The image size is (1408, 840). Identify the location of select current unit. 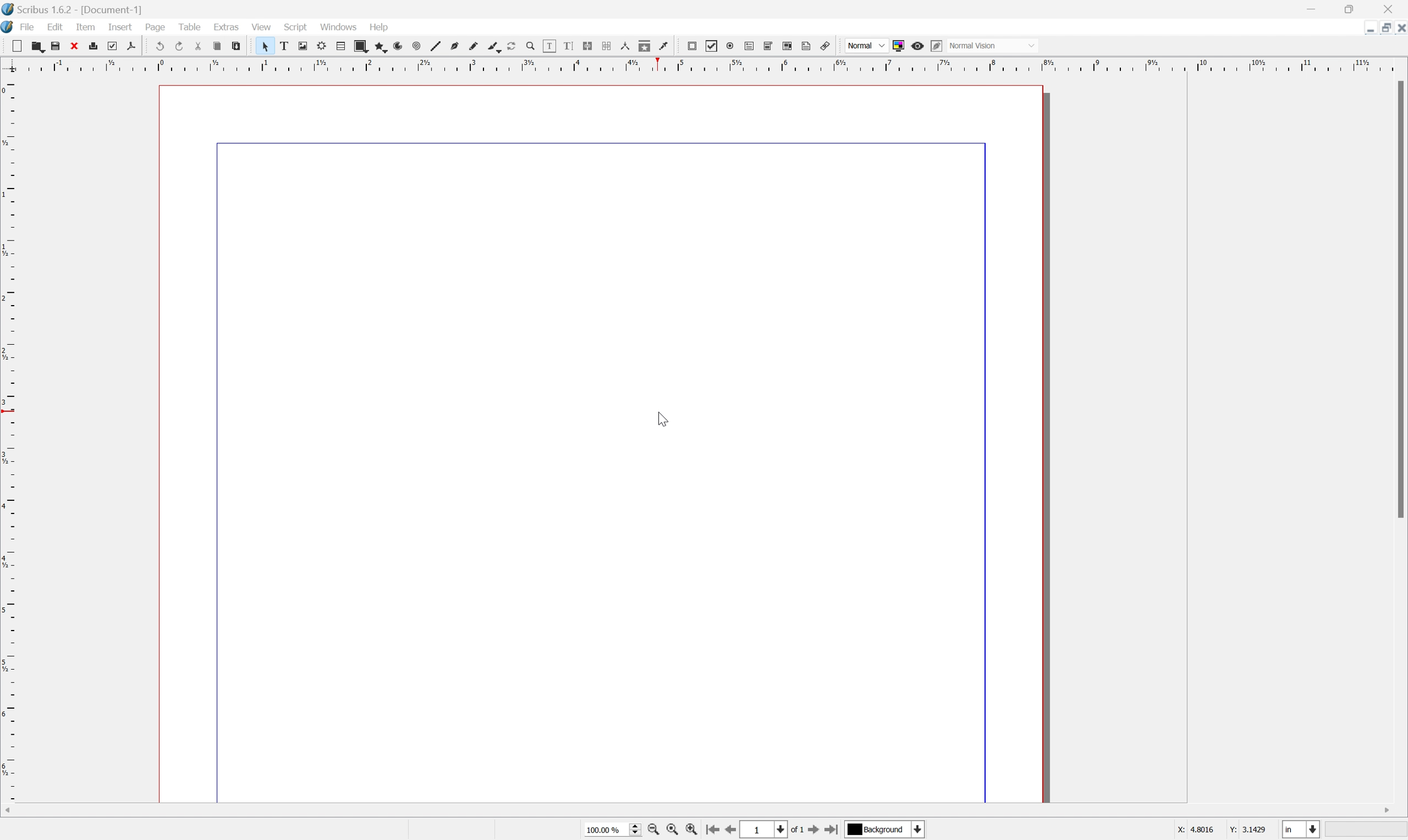
(1301, 829).